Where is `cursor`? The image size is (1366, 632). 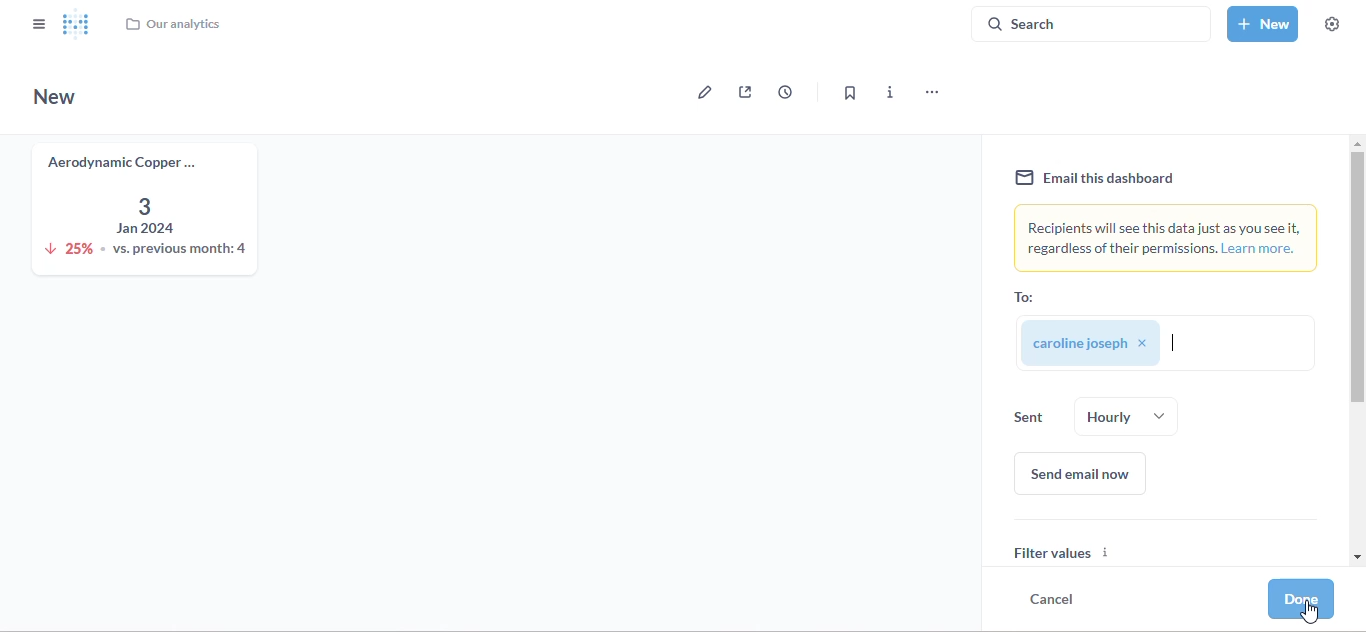 cursor is located at coordinates (1173, 343).